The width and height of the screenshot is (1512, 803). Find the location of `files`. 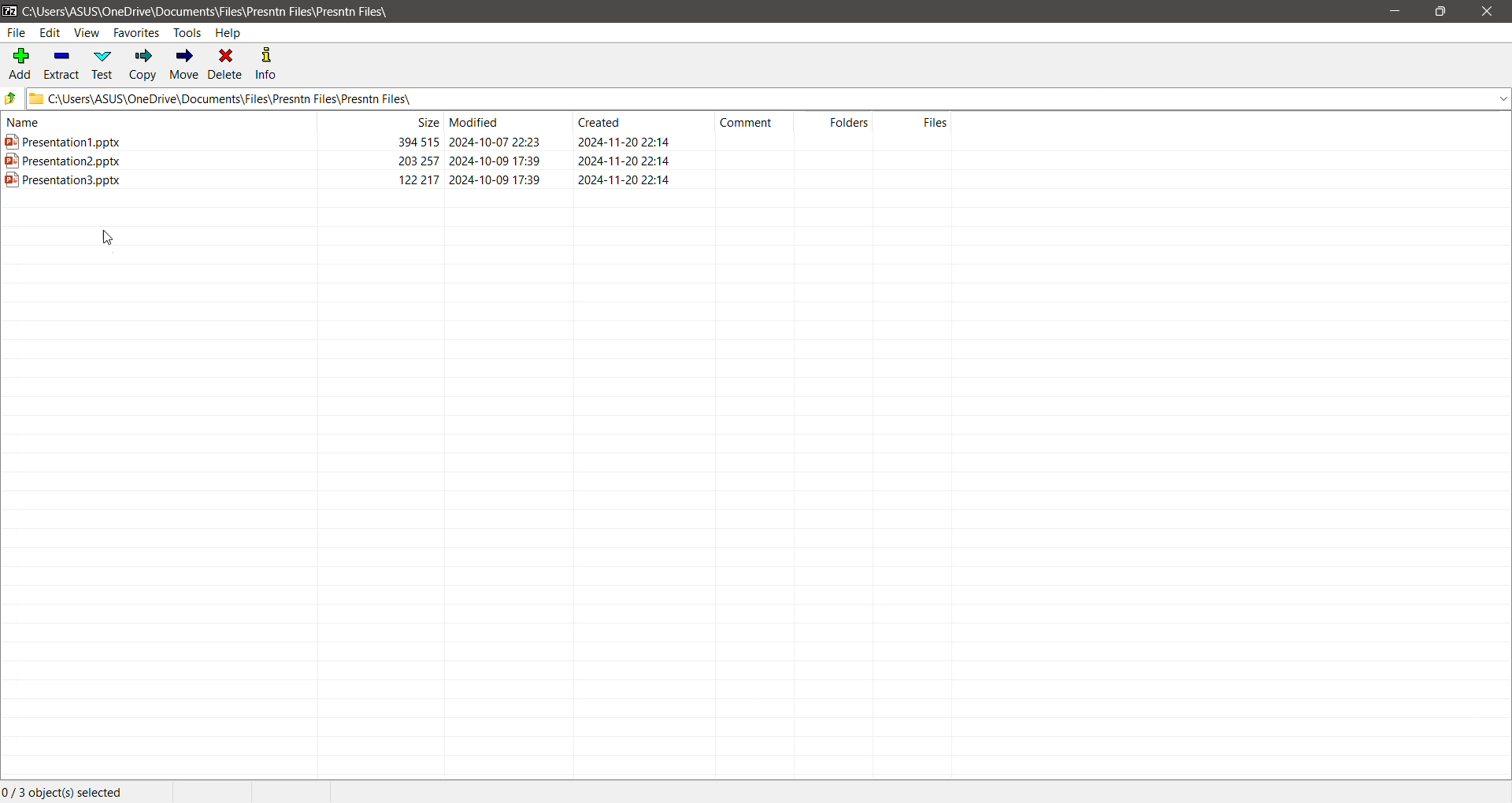

files is located at coordinates (936, 122).